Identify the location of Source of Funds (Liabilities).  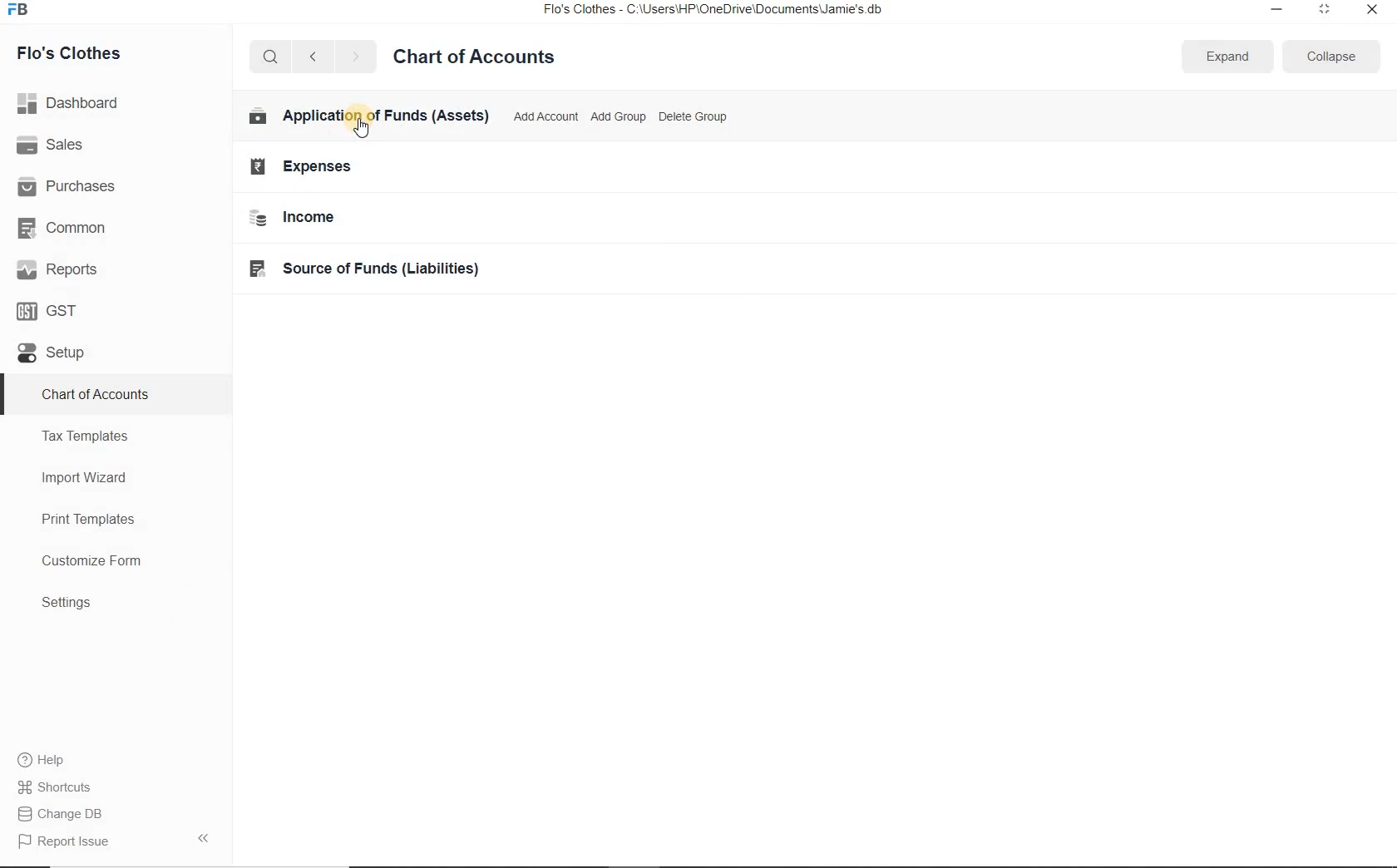
(373, 269).